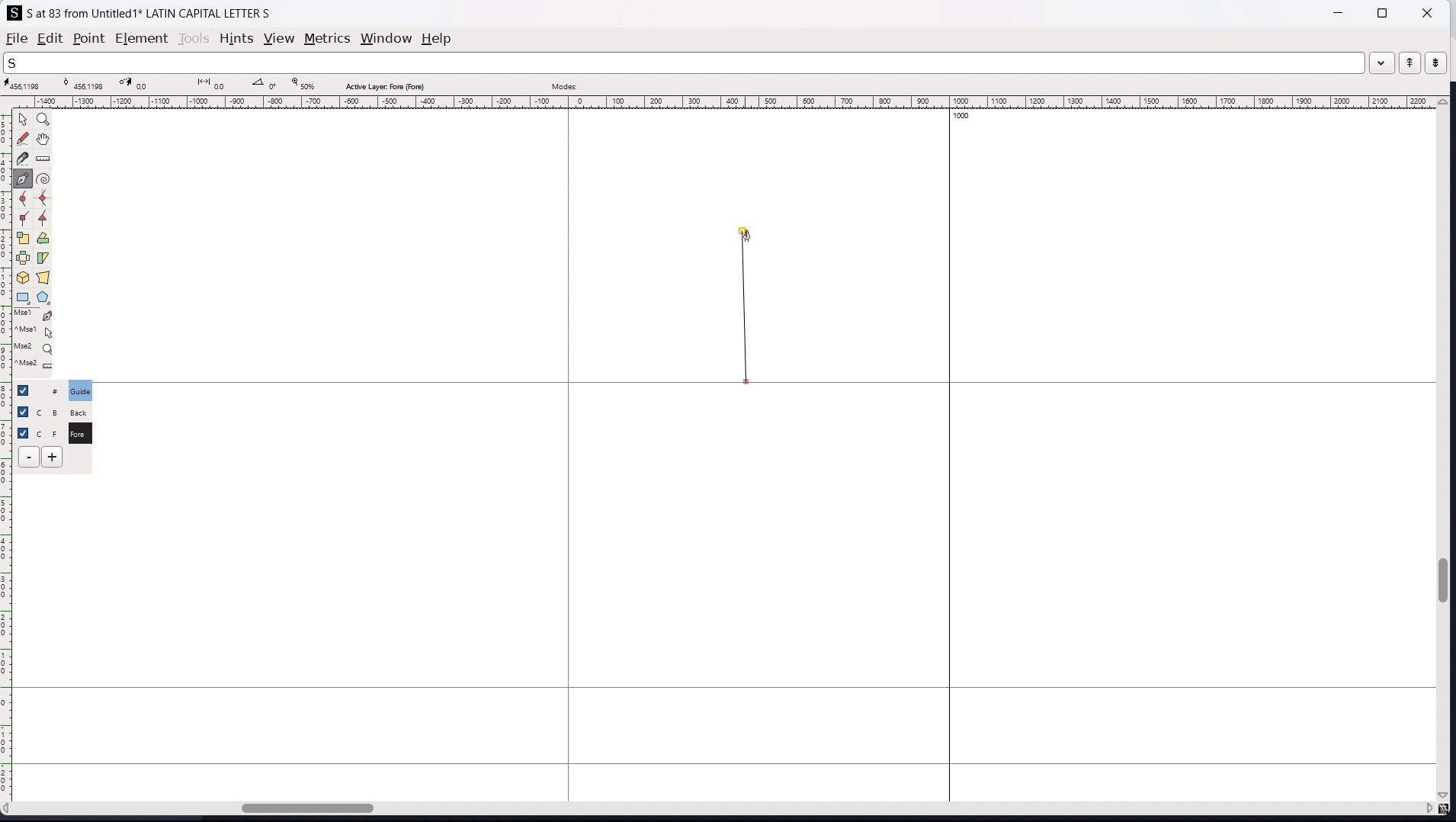 Image resolution: width=1456 pixels, height=822 pixels. Describe the element at coordinates (50, 38) in the screenshot. I see `edit` at that location.